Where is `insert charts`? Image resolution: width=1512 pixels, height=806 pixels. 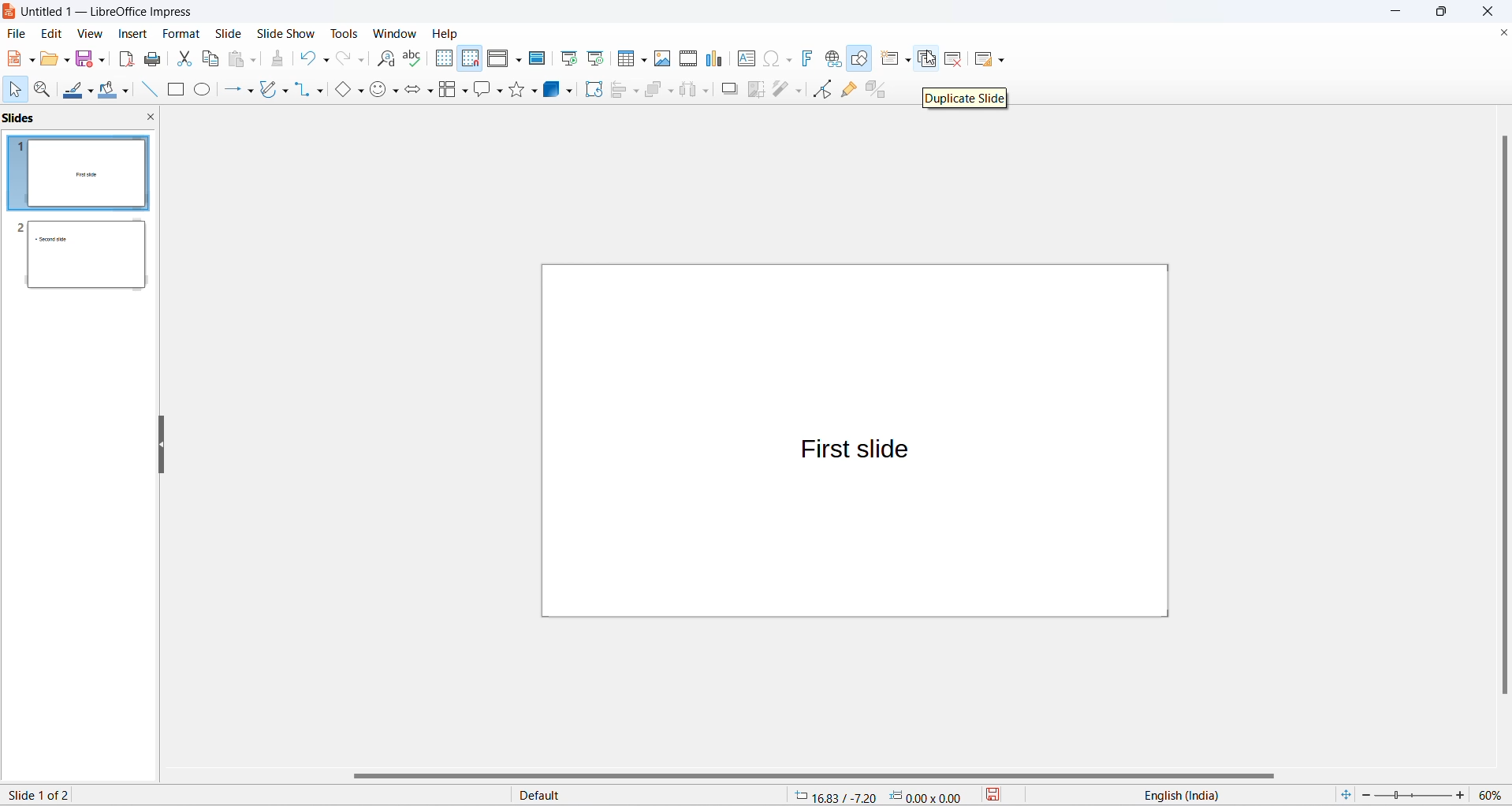
insert charts is located at coordinates (717, 61).